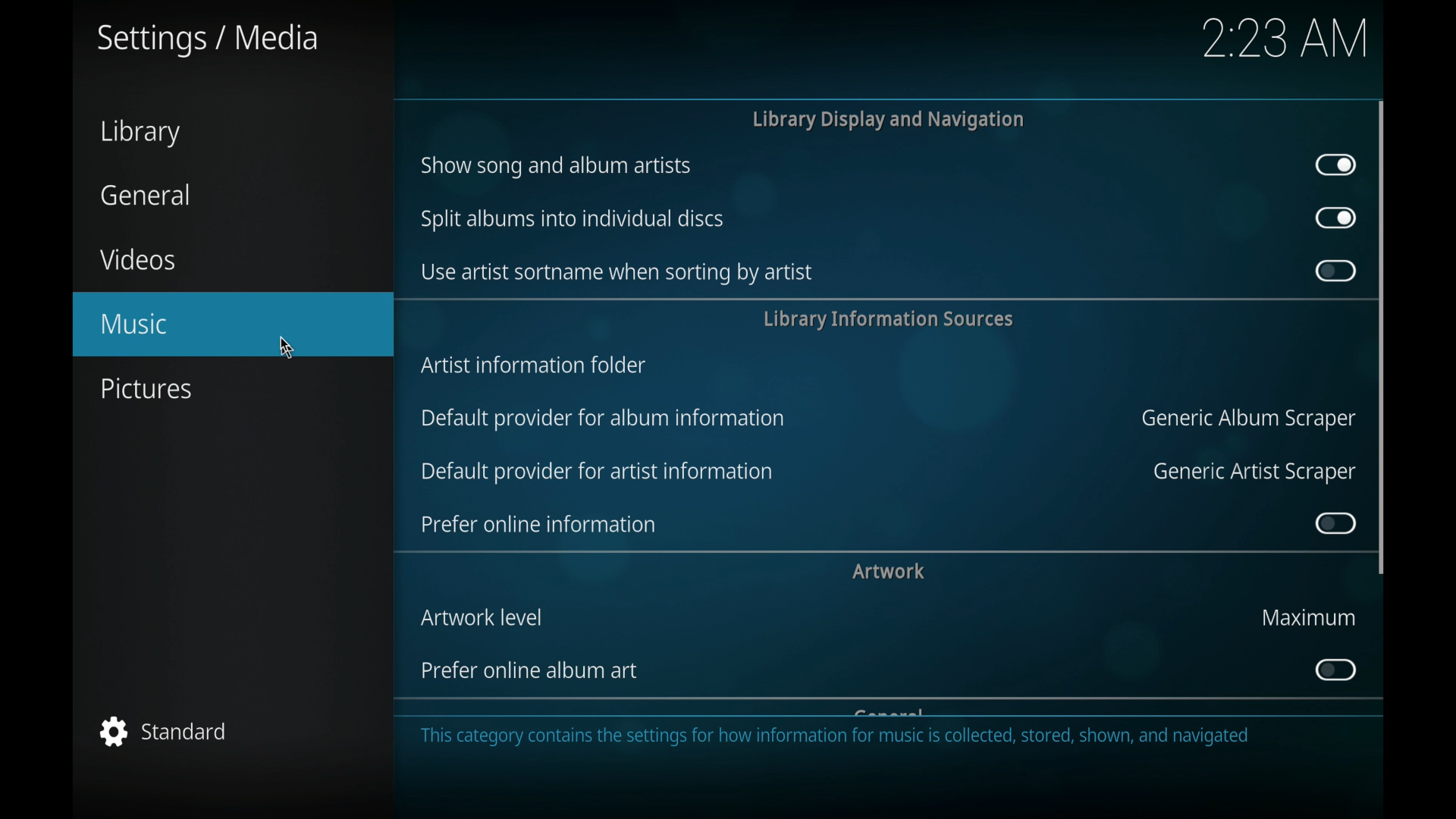  What do you see at coordinates (1336, 165) in the screenshot?
I see `toggle button` at bounding box center [1336, 165].